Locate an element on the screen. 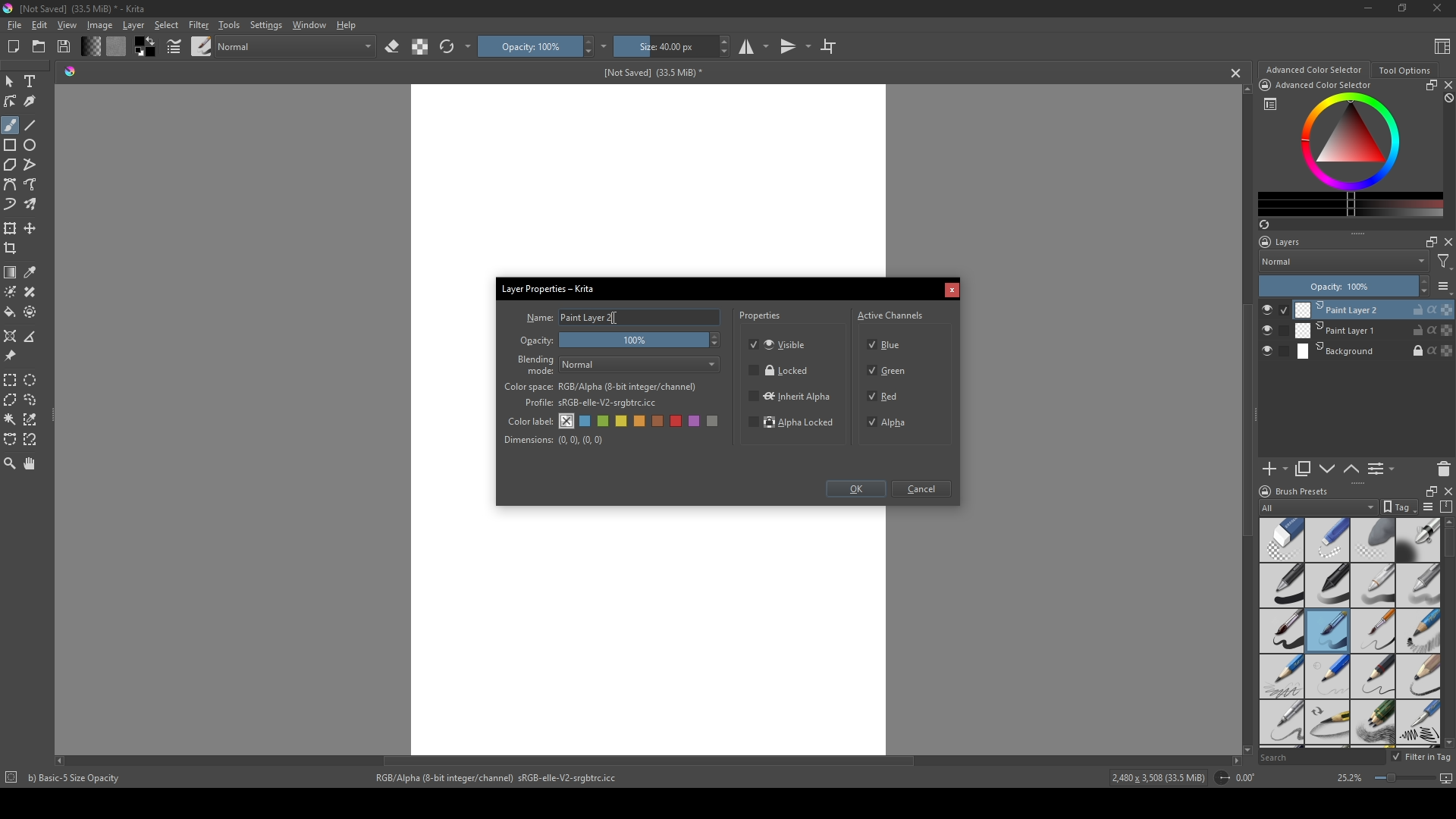  scroll up is located at coordinates (1447, 522).